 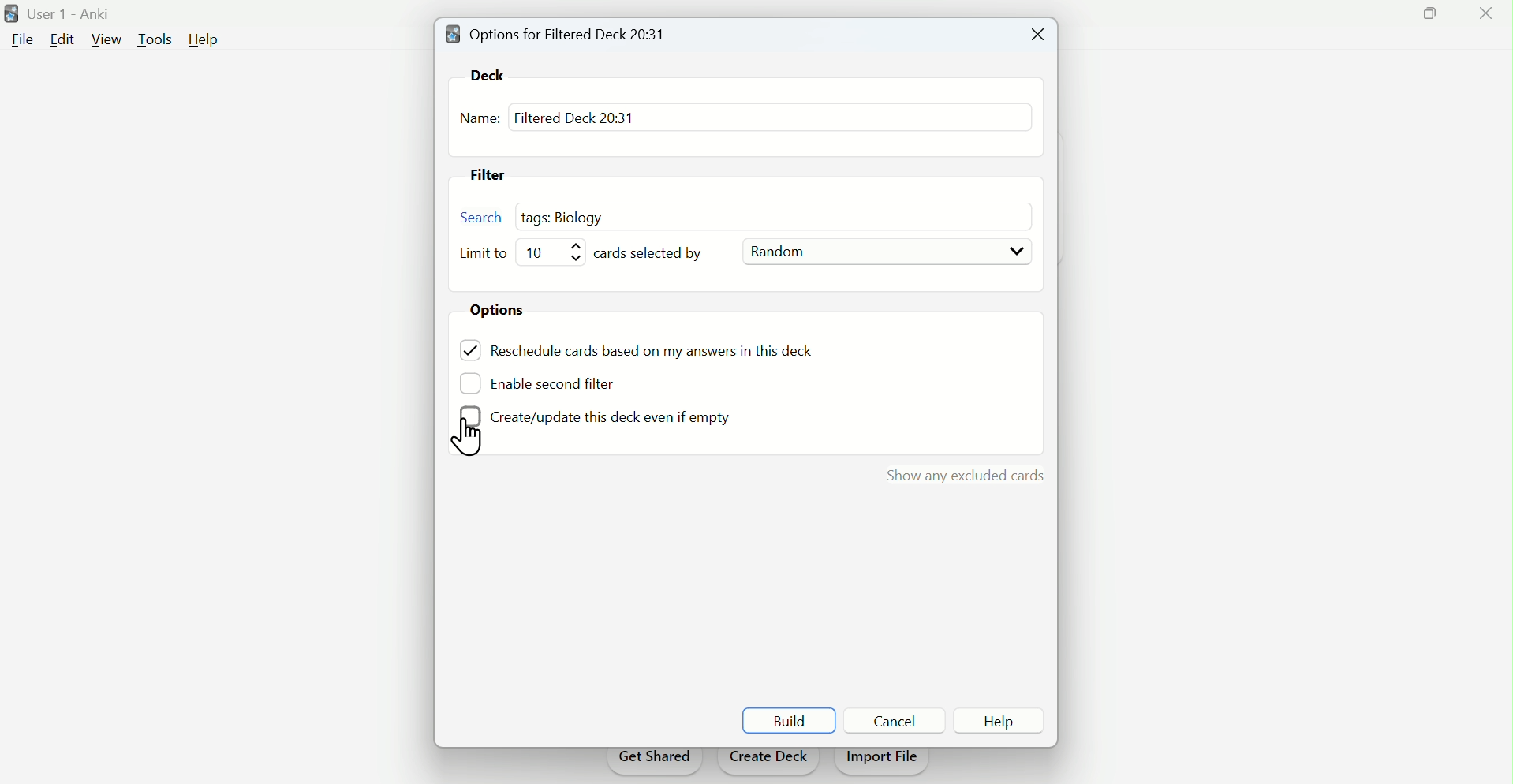 I want to click on reschedule cards based on my answers in this tech, so click(x=663, y=353).